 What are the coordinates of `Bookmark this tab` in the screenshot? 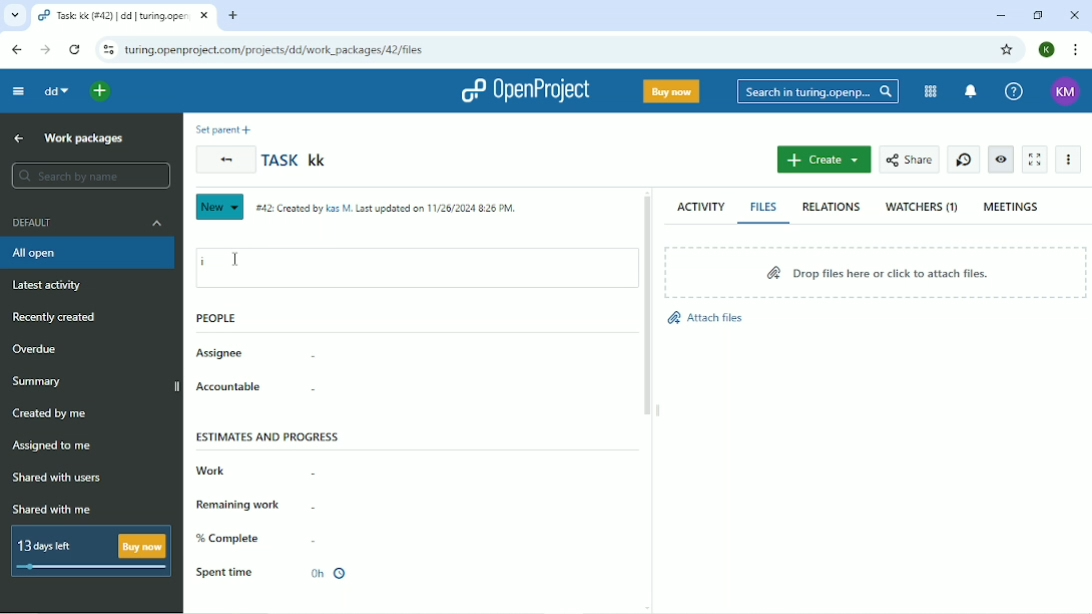 It's located at (1007, 50).